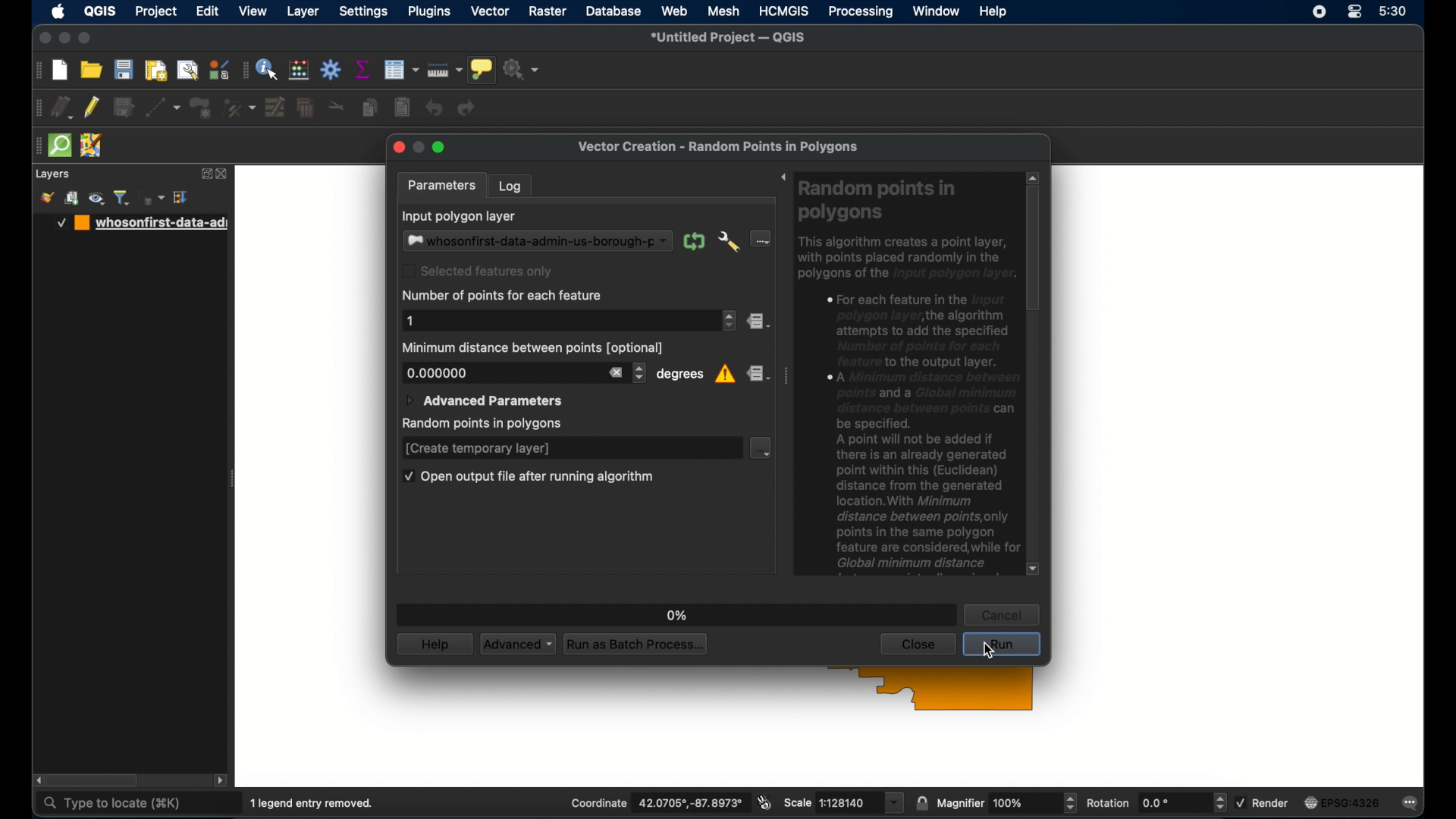 The width and height of the screenshot is (1456, 819). What do you see at coordinates (152, 198) in the screenshot?
I see `filter legend by expression` at bounding box center [152, 198].